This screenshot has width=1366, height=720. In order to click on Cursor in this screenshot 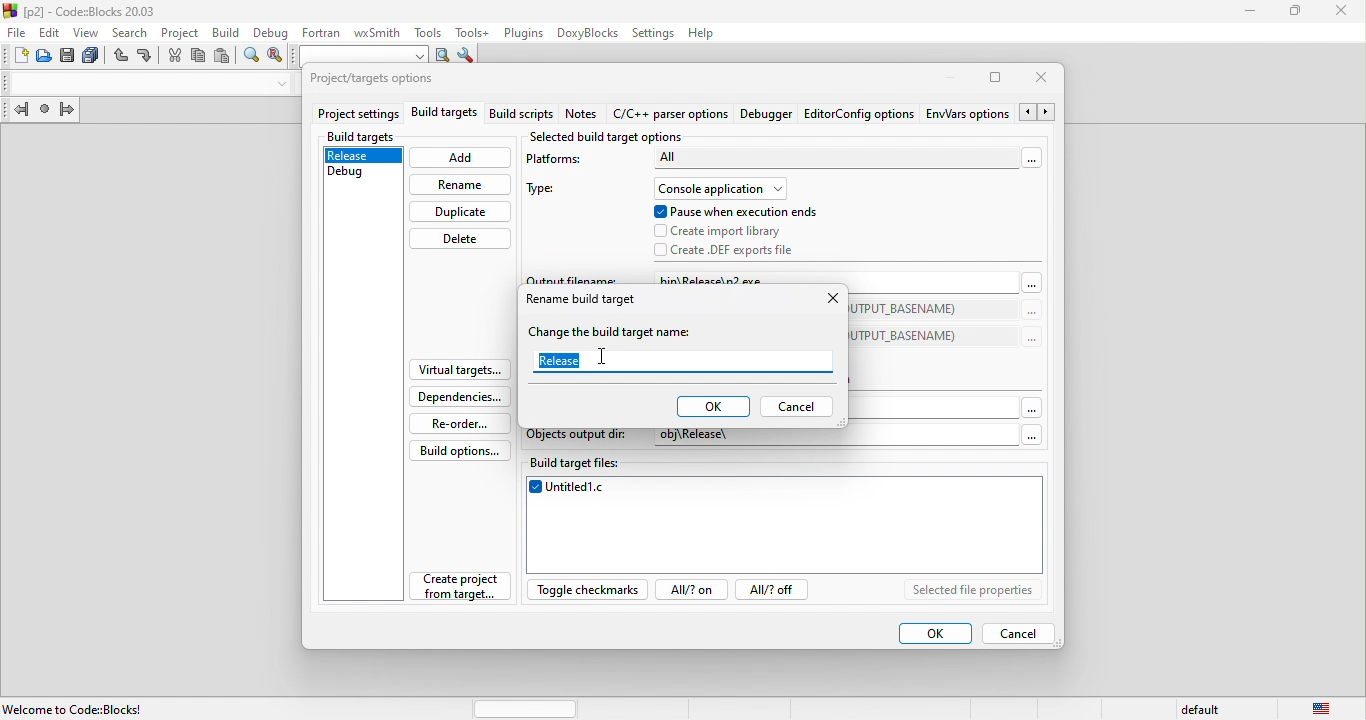, I will do `click(603, 357)`.